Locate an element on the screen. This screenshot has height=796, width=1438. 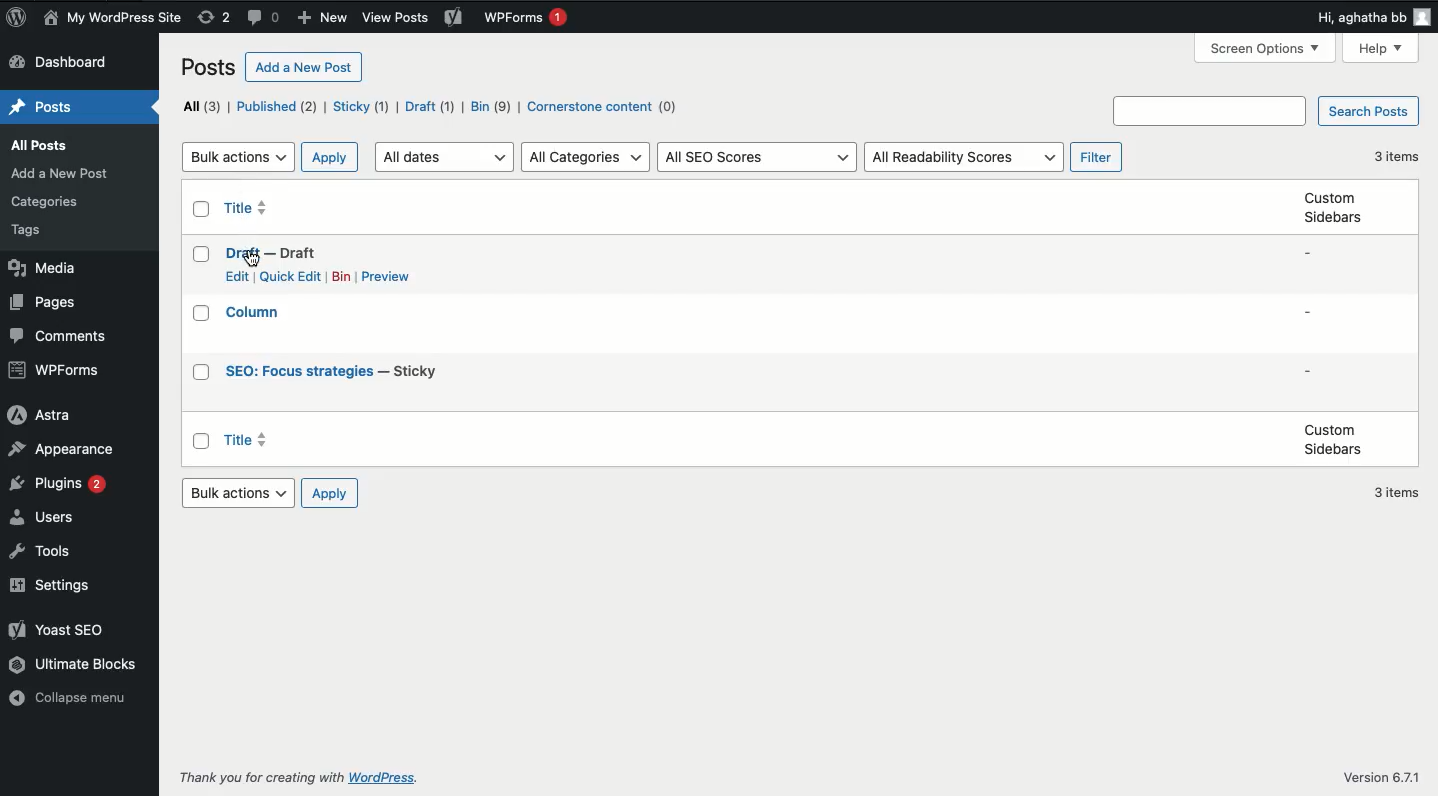
Users is located at coordinates (46, 515).